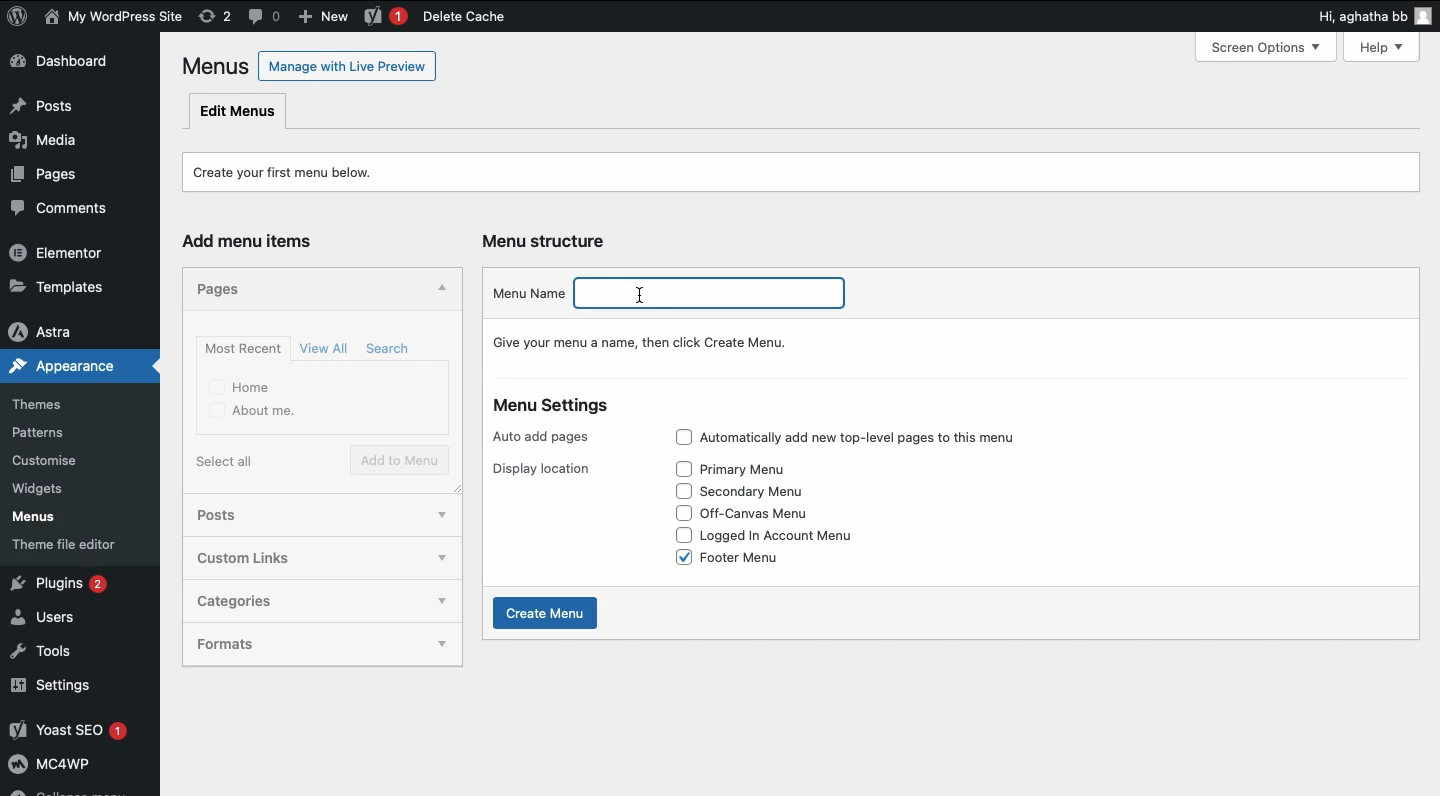 Image resolution: width=1440 pixels, height=796 pixels. What do you see at coordinates (682, 438) in the screenshot?
I see `Check box` at bounding box center [682, 438].